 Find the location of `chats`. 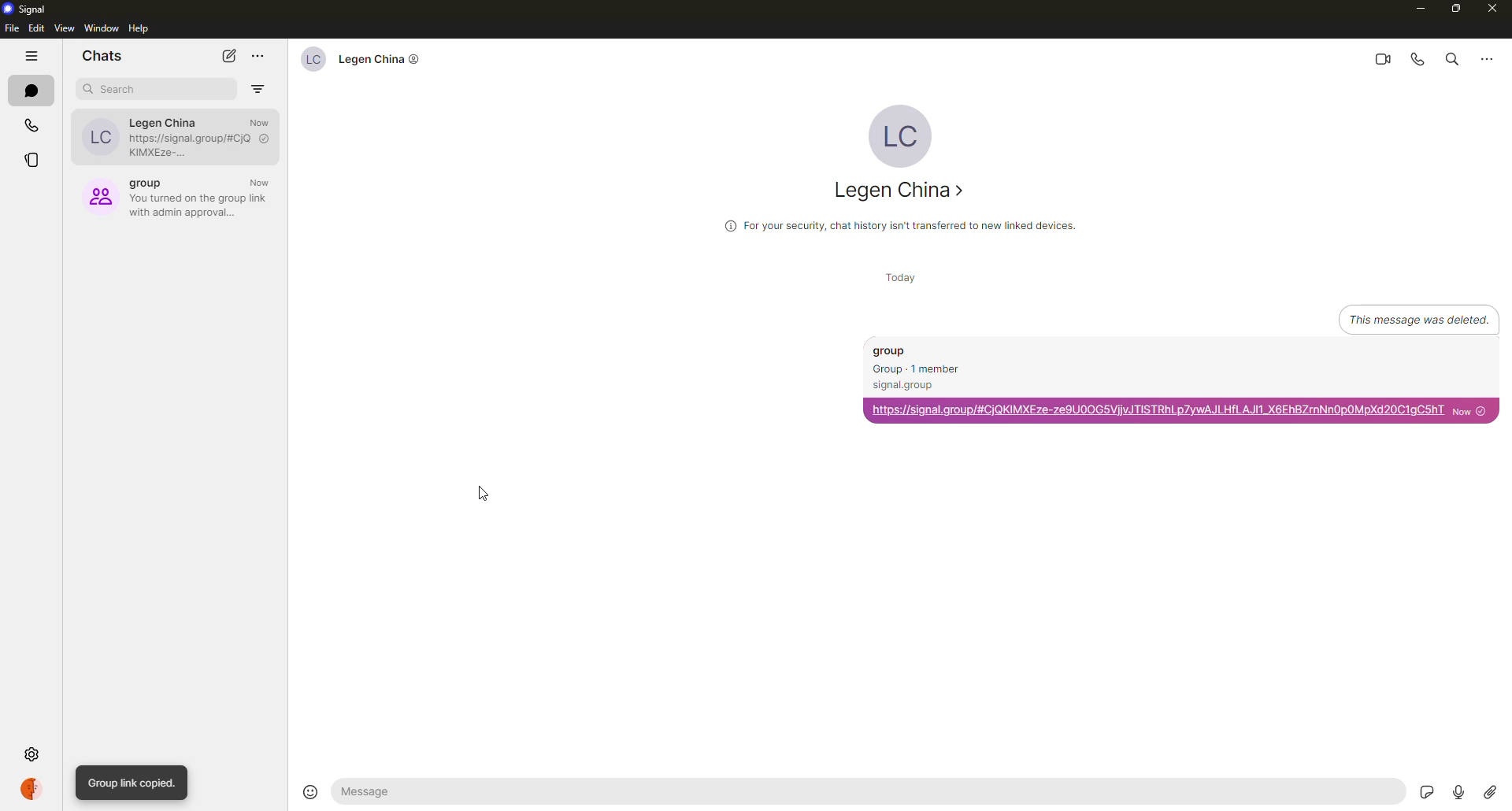

chats is located at coordinates (33, 91).